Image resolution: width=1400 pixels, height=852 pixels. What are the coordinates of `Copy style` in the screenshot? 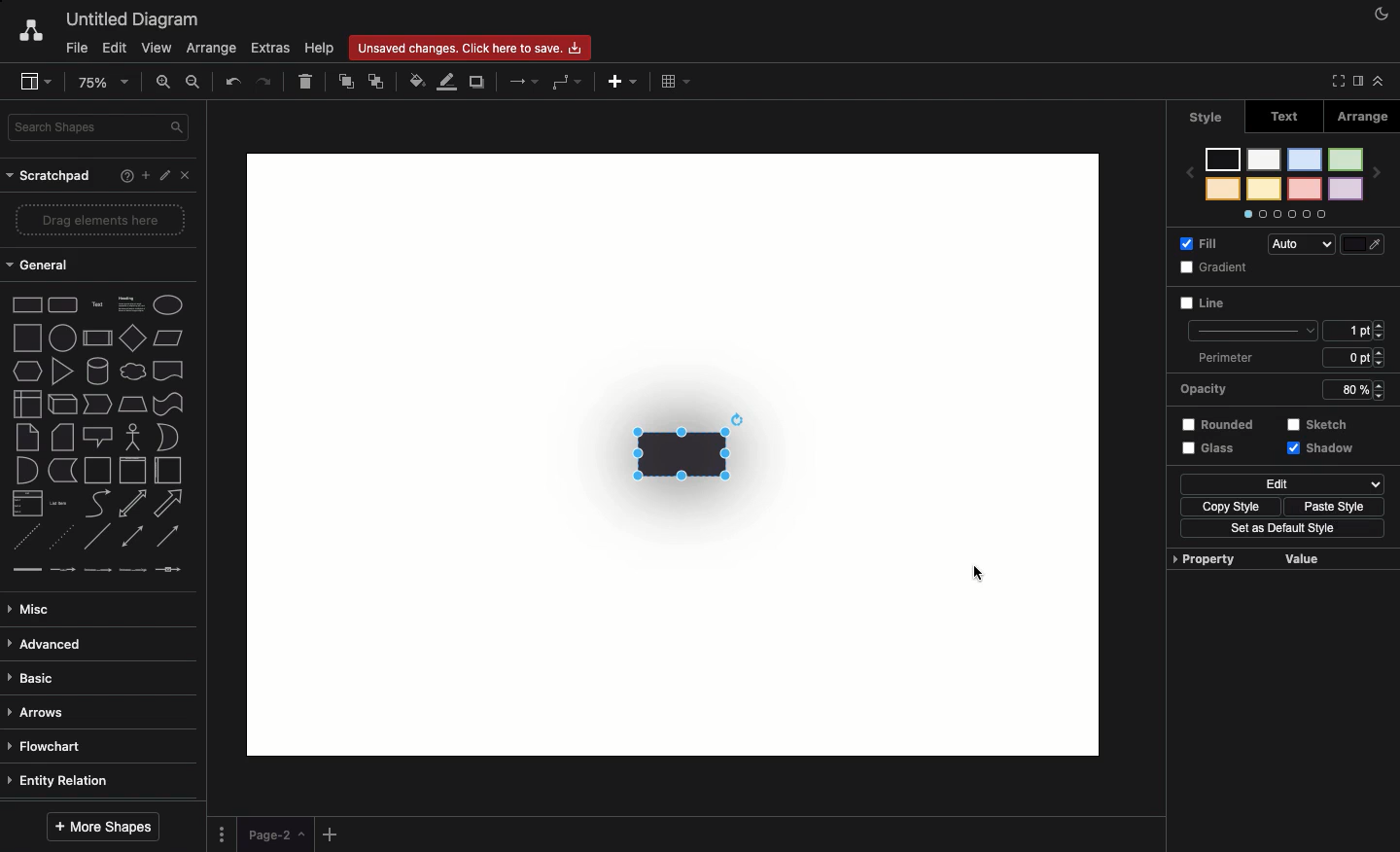 It's located at (1225, 505).